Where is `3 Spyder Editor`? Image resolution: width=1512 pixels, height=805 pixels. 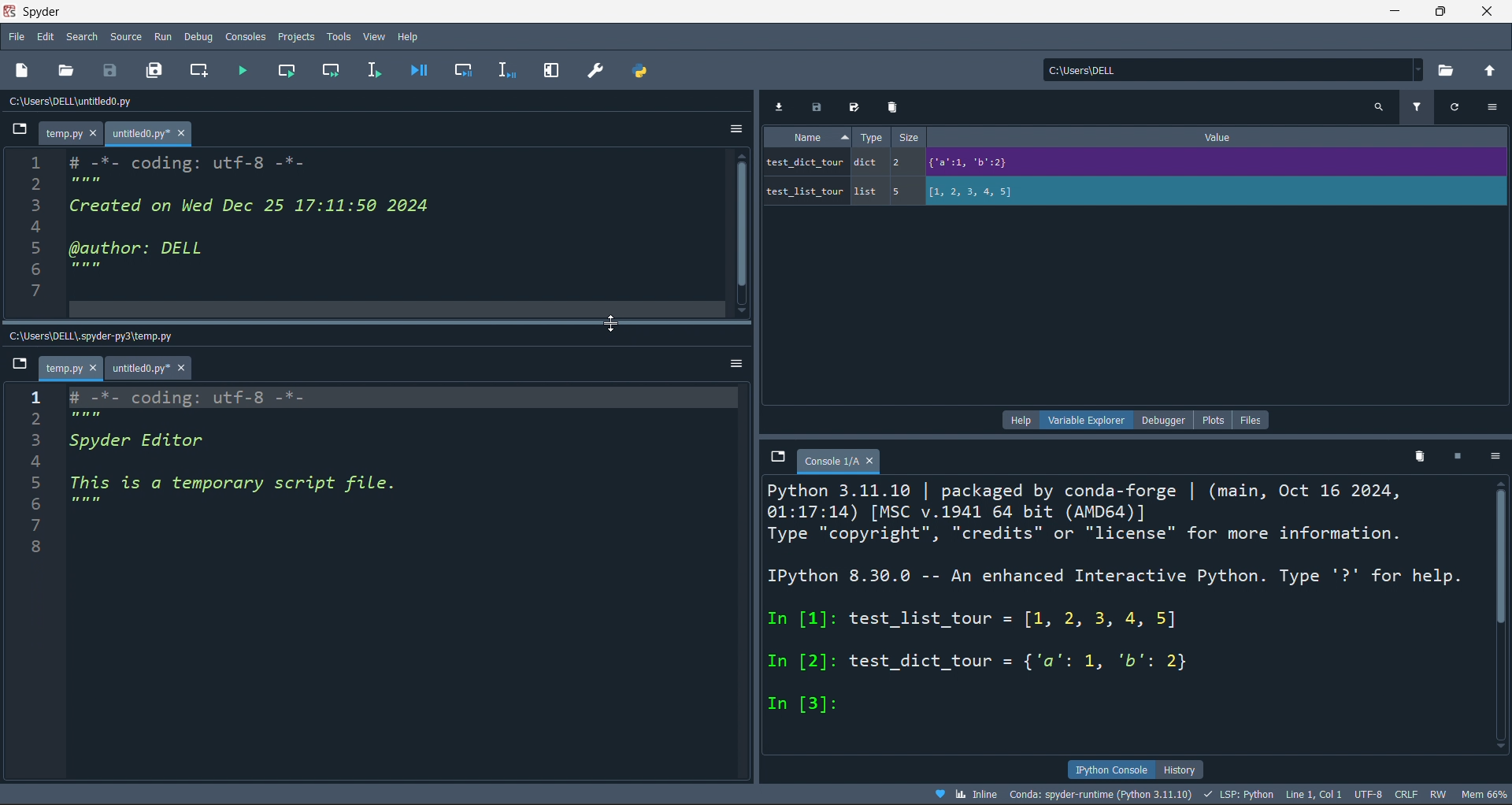 3 Spyder Editor is located at coordinates (130, 442).